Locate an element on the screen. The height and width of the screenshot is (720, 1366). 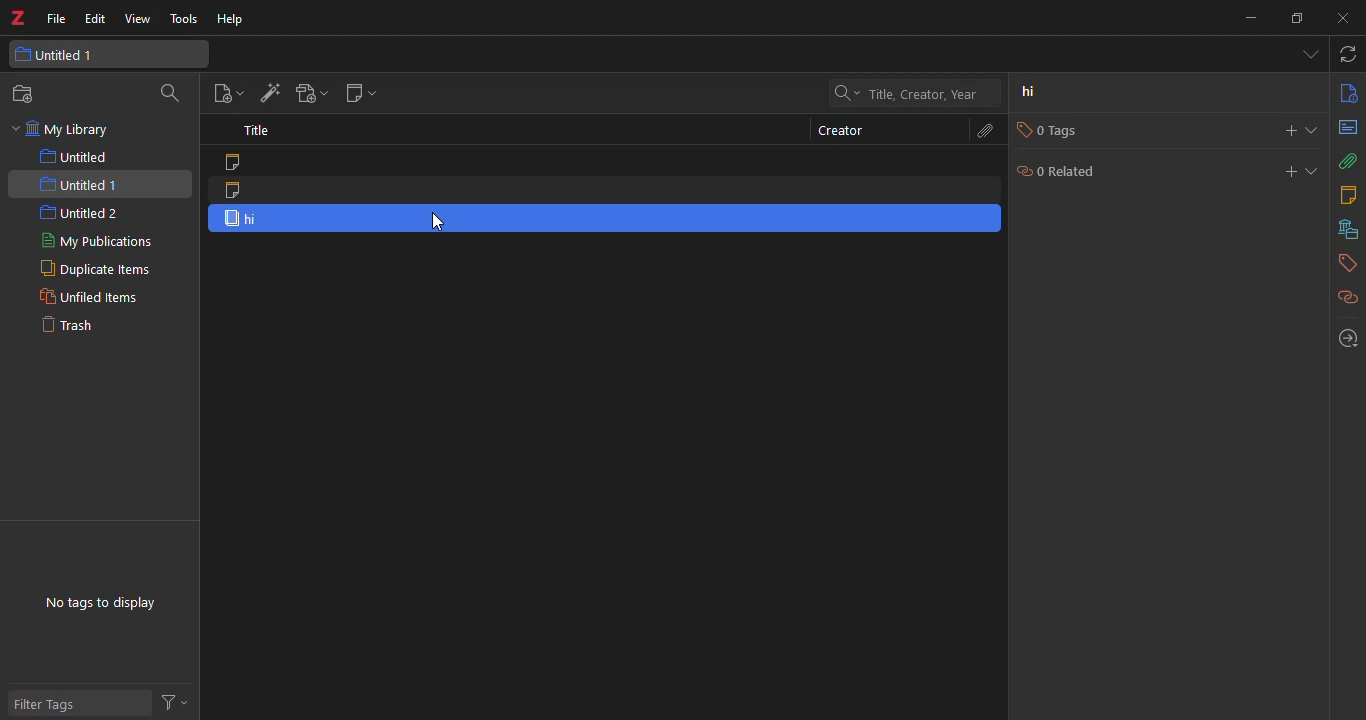
info is located at coordinates (1350, 92).